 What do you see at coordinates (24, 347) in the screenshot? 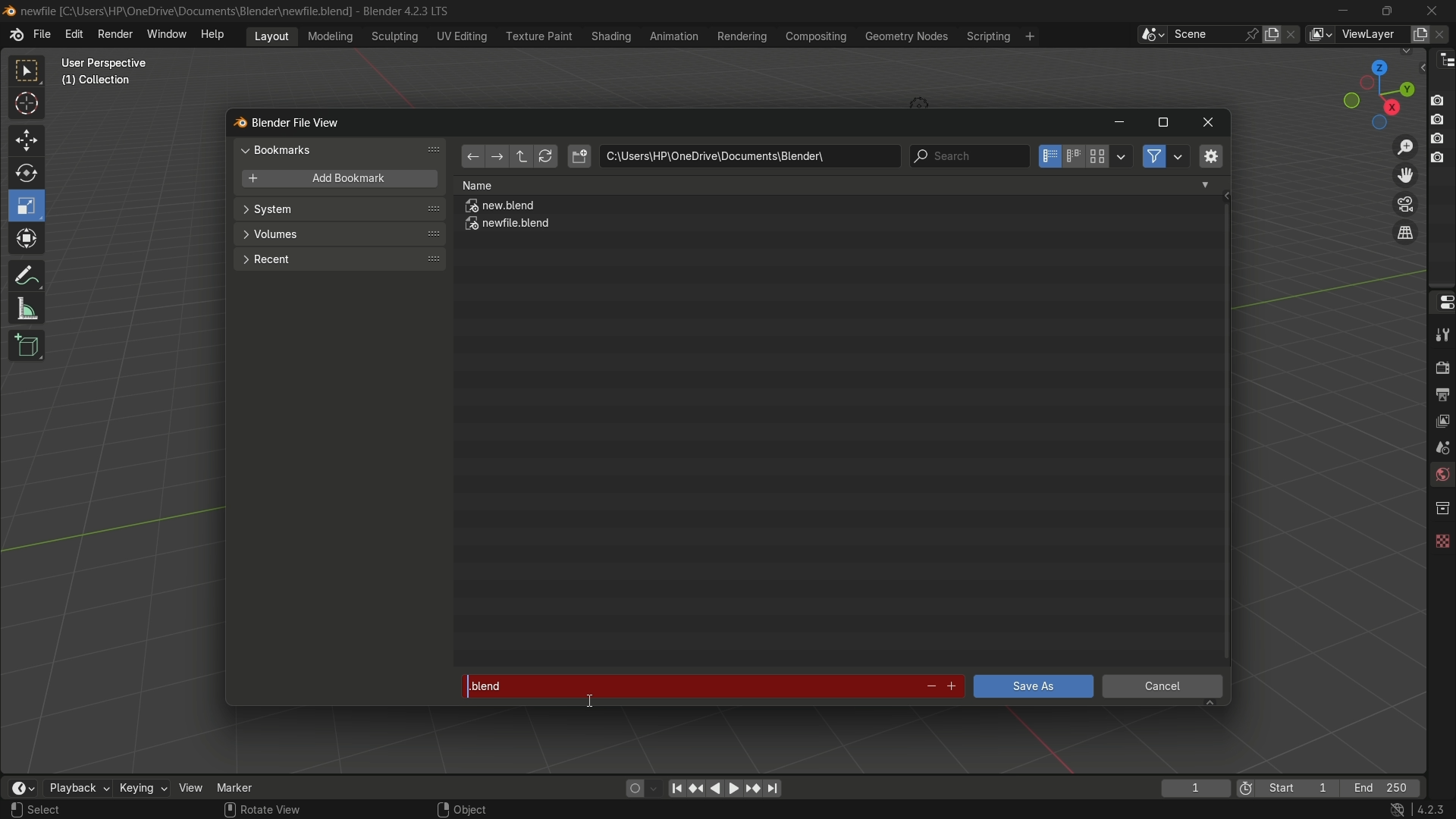
I see `add cube` at bounding box center [24, 347].